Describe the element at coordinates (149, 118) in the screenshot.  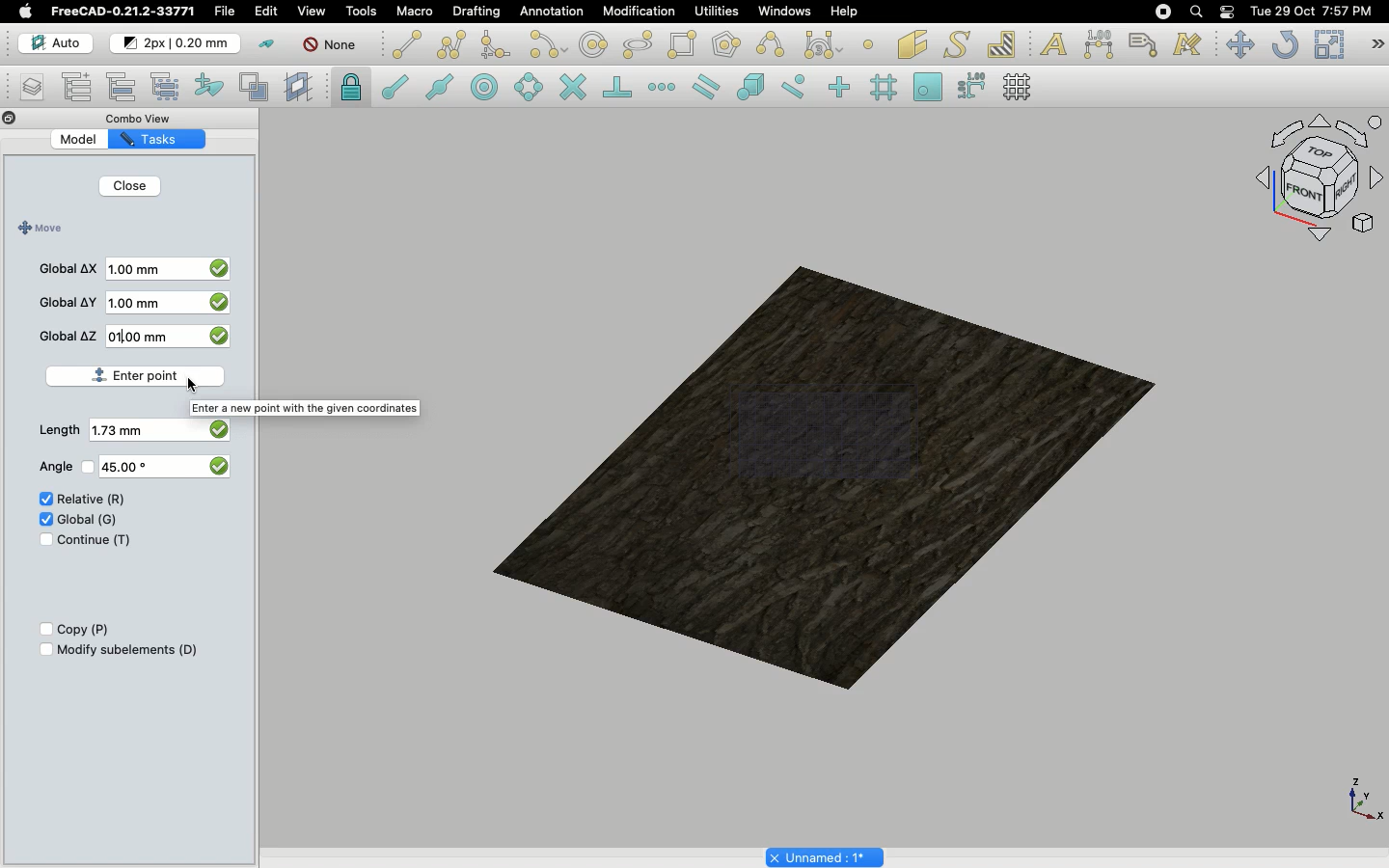
I see `Combo view` at that location.